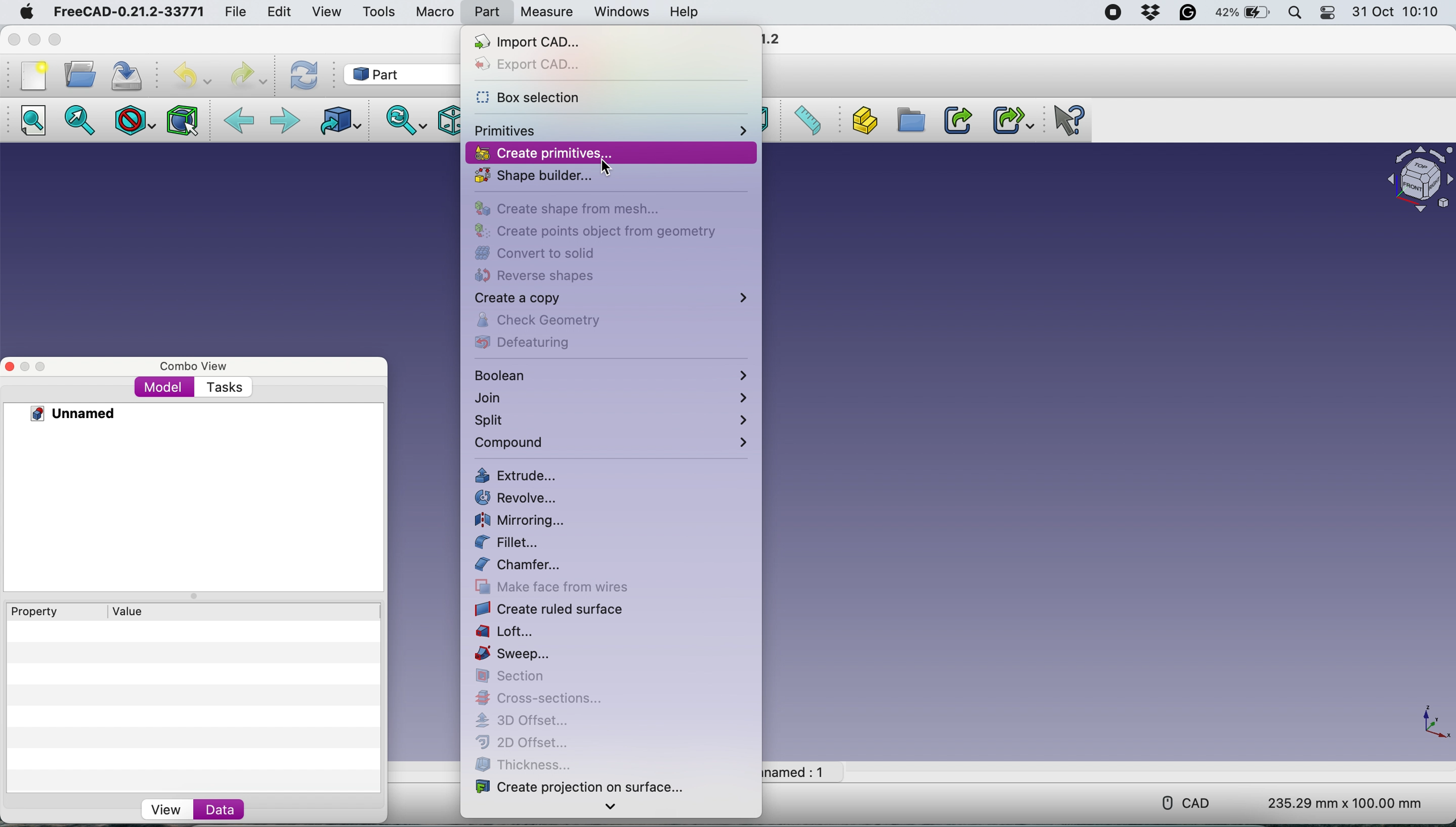  What do you see at coordinates (446, 120) in the screenshot?
I see `Isometric` at bounding box center [446, 120].